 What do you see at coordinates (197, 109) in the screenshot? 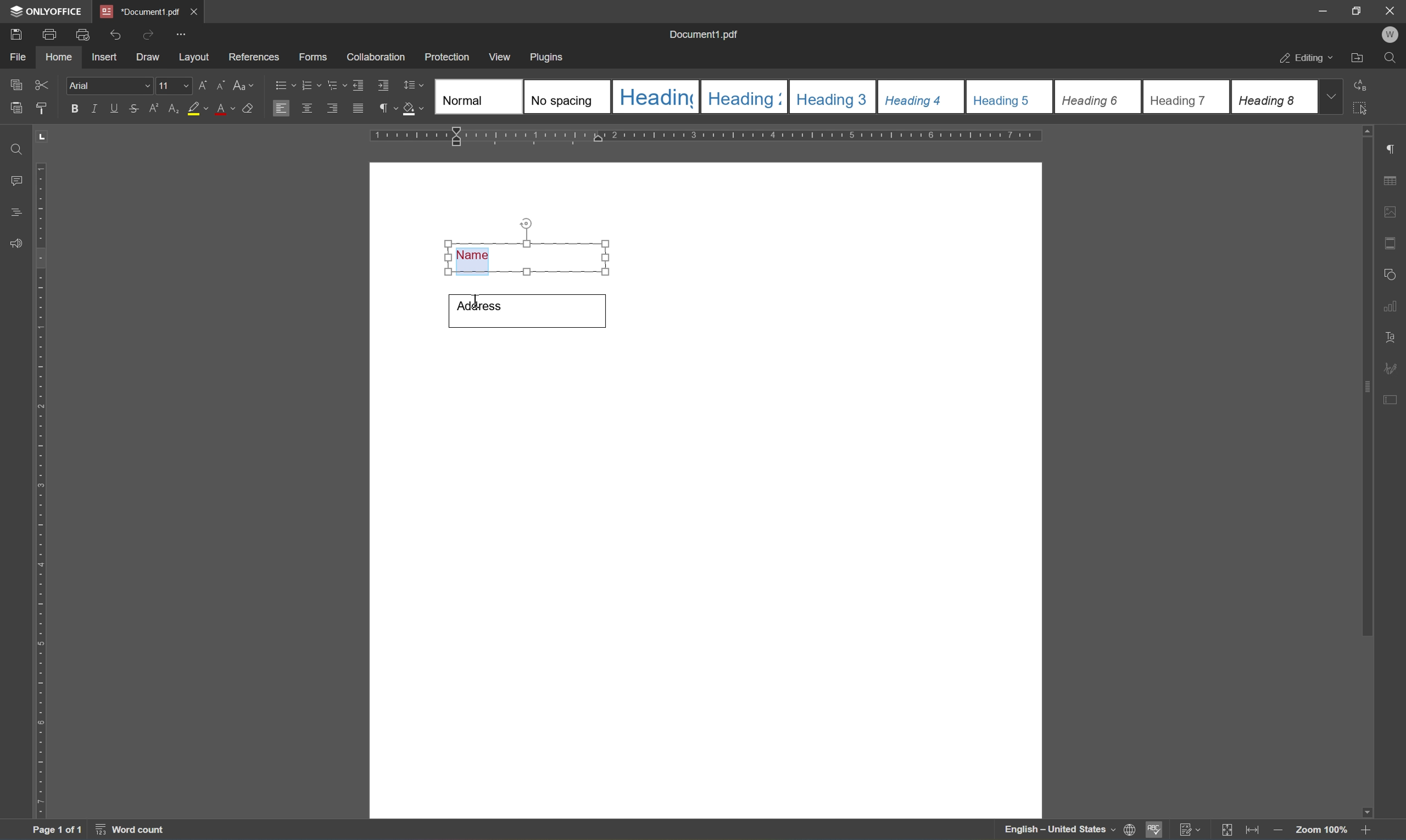
I see `highlight color` at bounding box center [197, 109].